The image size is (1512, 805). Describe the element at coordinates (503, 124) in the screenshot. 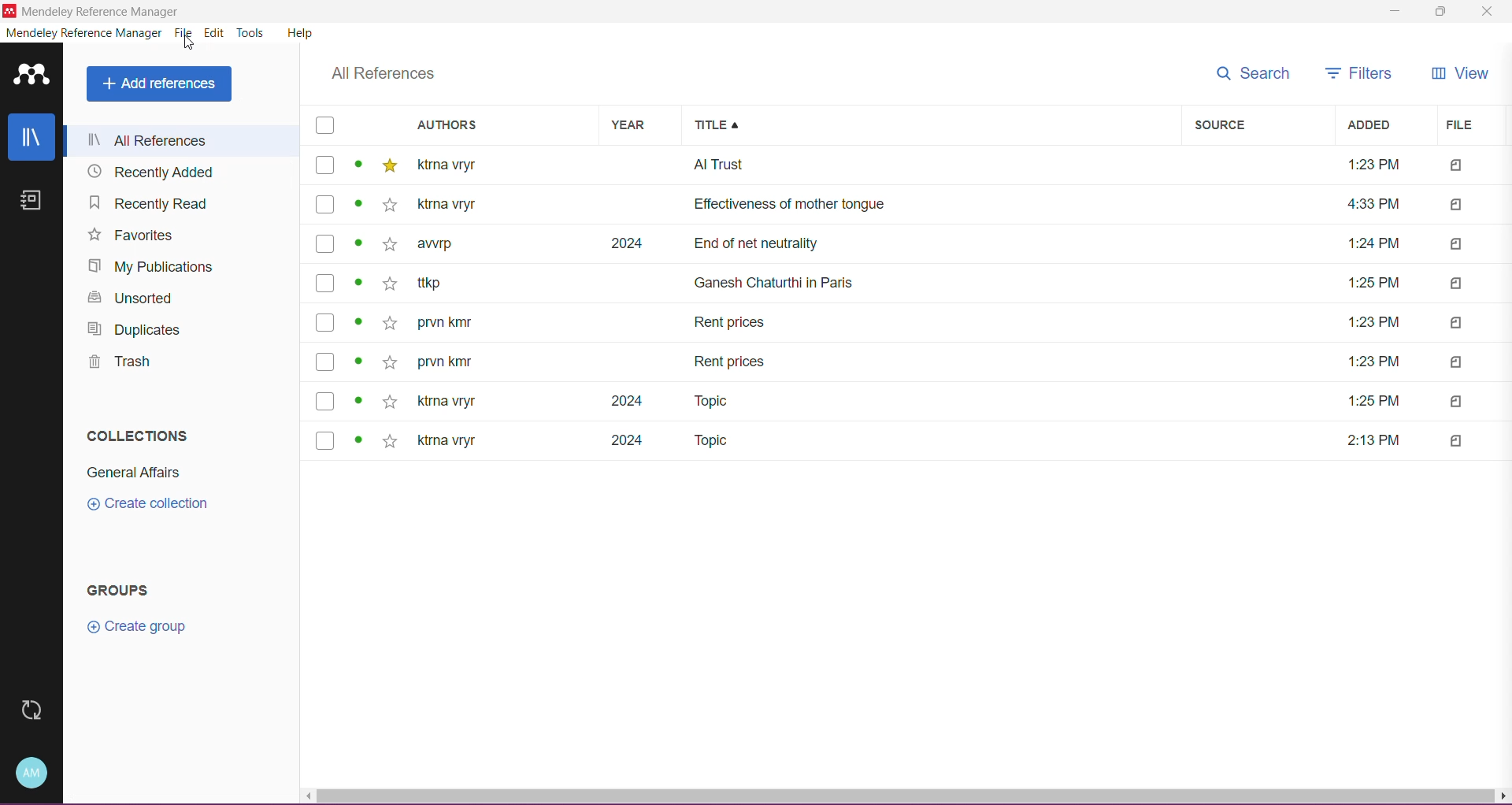

I see `Authors` at that location.